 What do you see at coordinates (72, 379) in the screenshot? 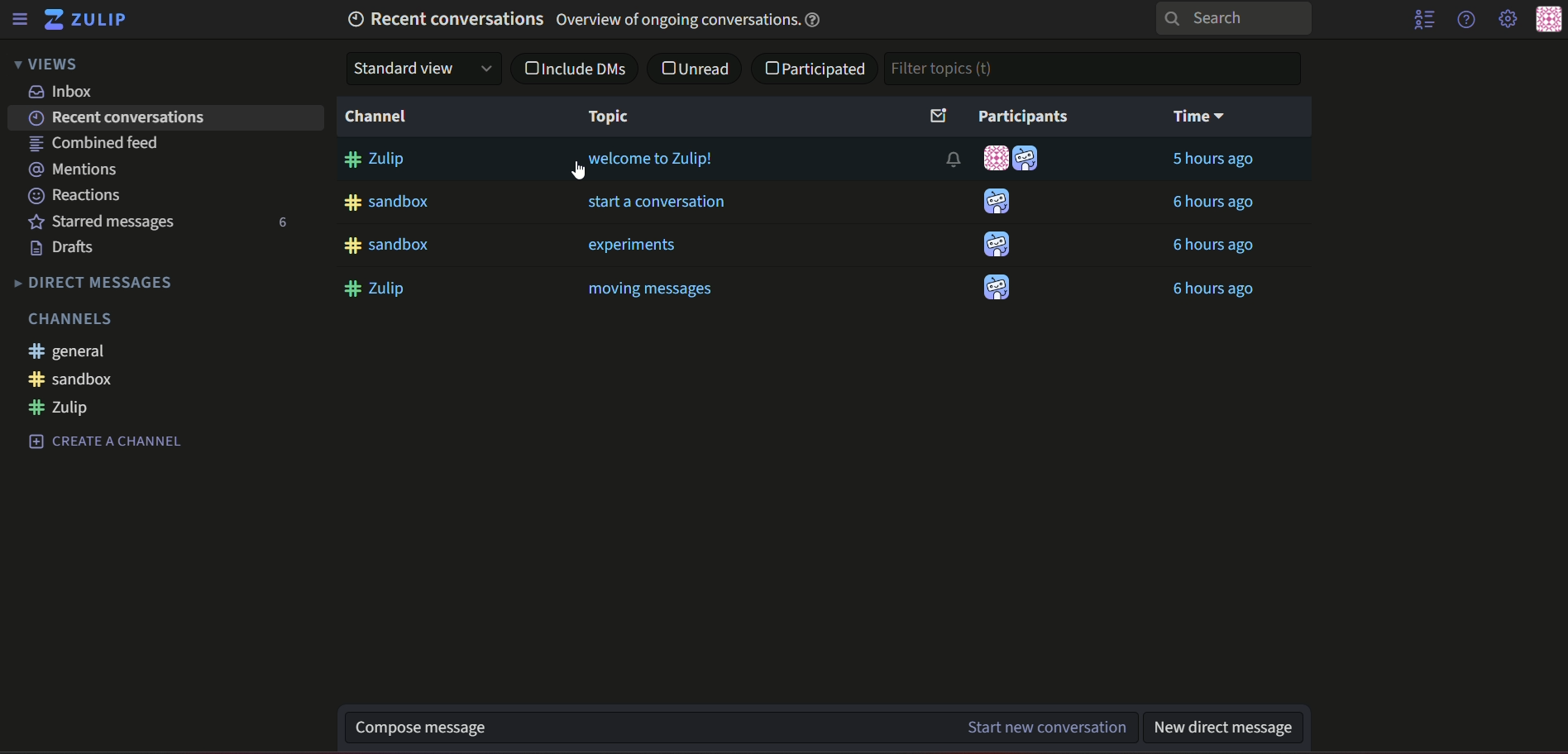
I see `#sandbox` at bounding box center [72, 379].